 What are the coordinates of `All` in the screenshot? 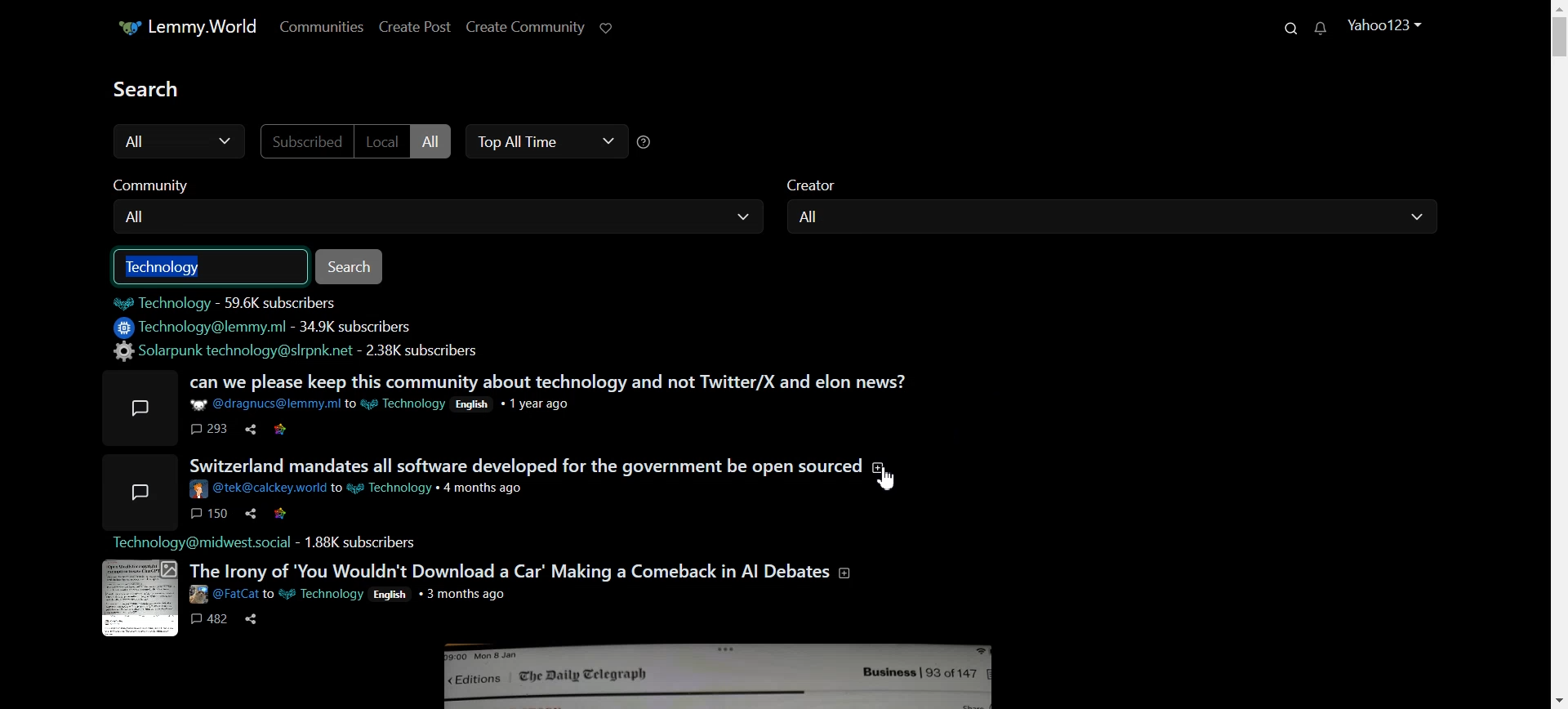 It's located at (445, 216).